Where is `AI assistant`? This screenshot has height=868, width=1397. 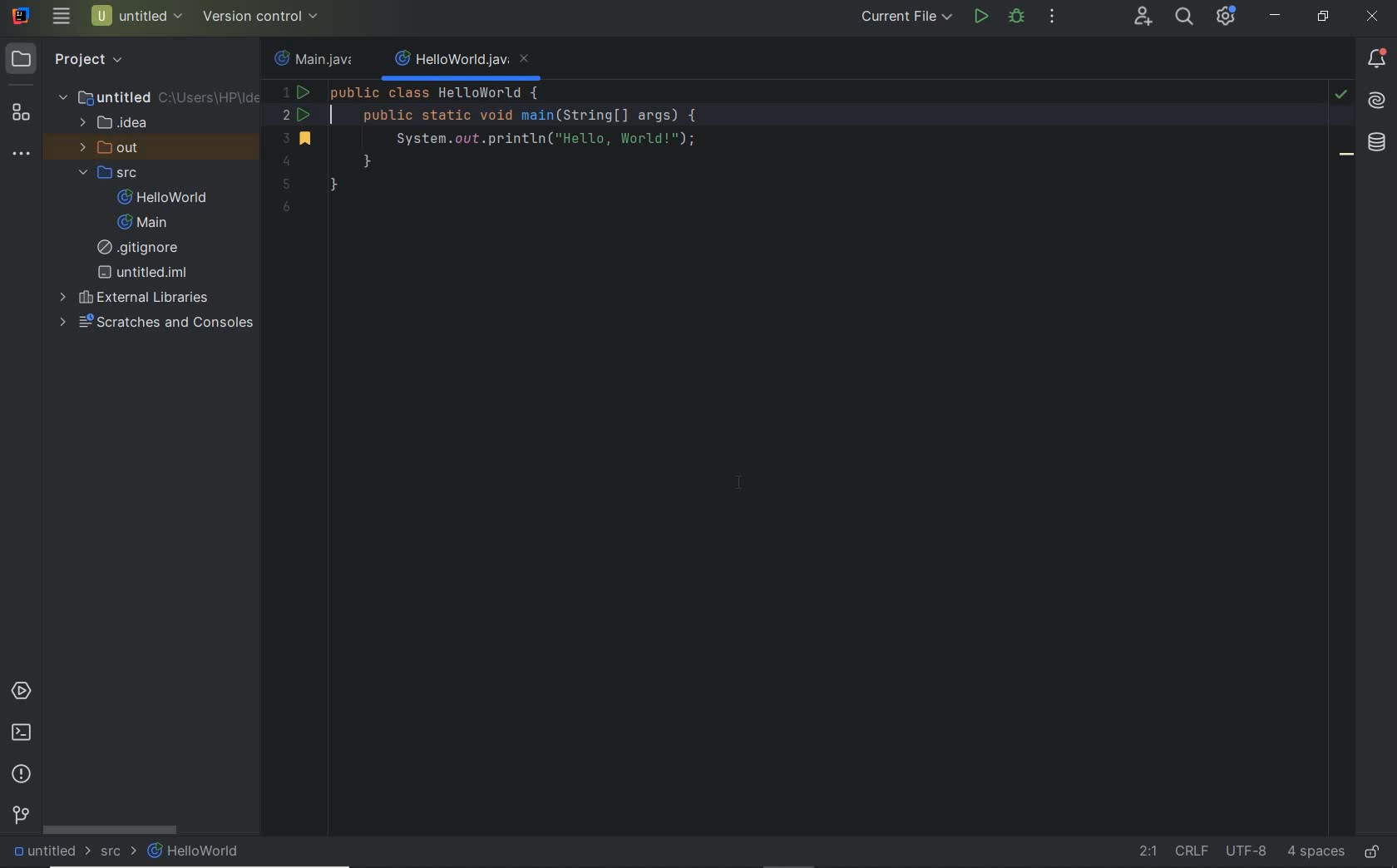
AI assistant is located at coordinates (1375, 101).